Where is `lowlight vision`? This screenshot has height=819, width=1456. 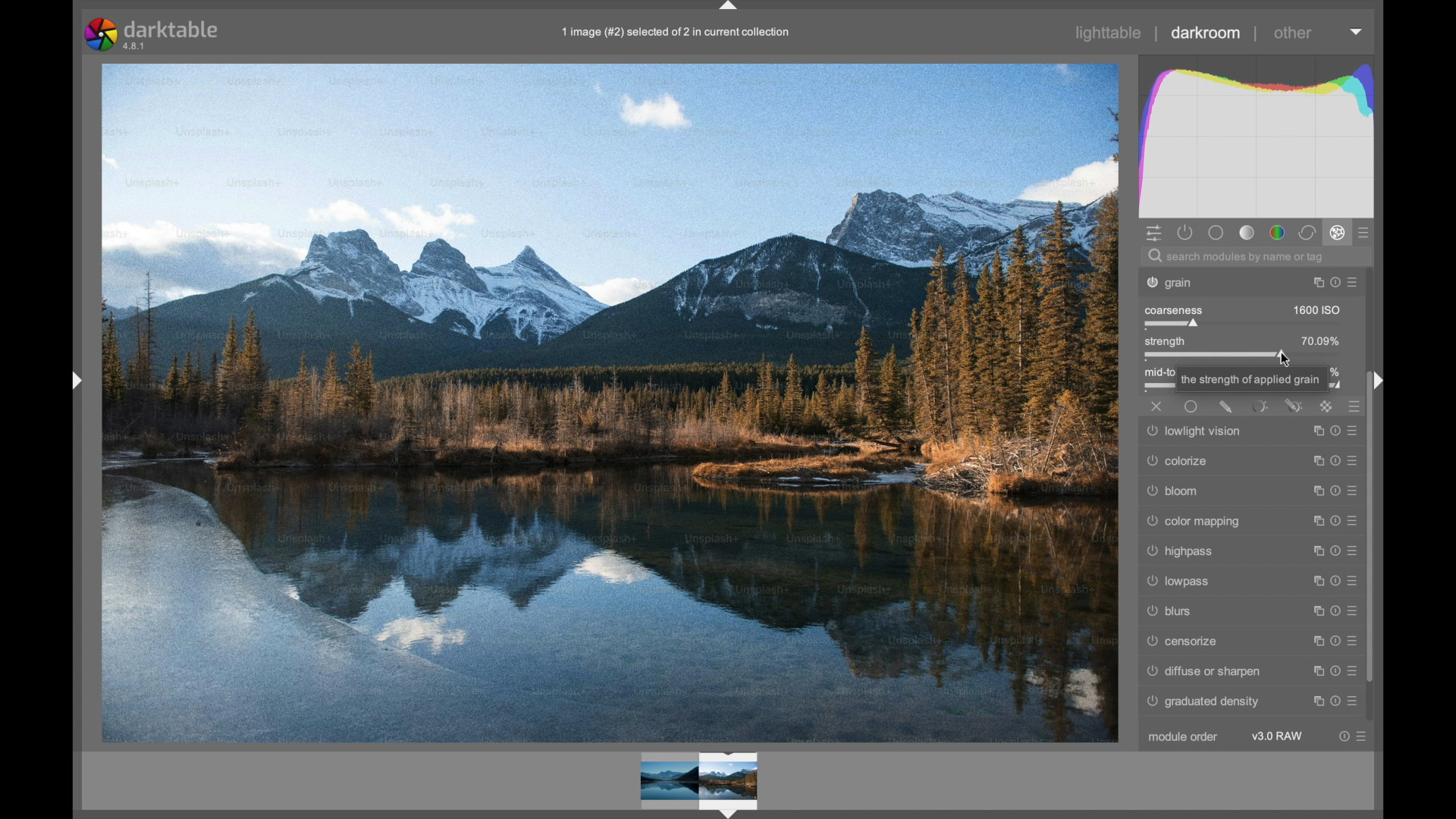 lowlight vision is located at coordinates (1188, 433).